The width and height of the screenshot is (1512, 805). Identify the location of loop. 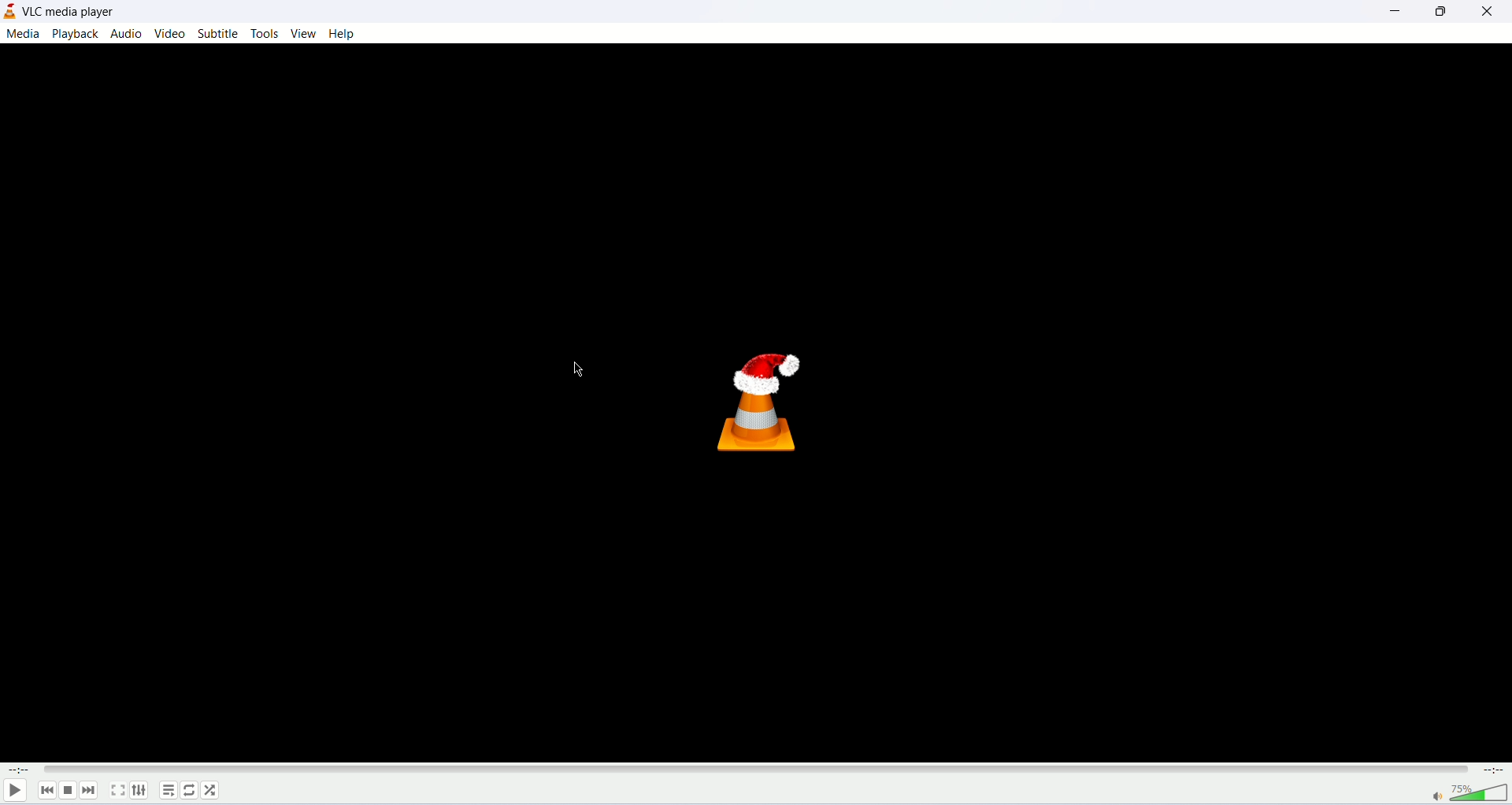
(190, 790).